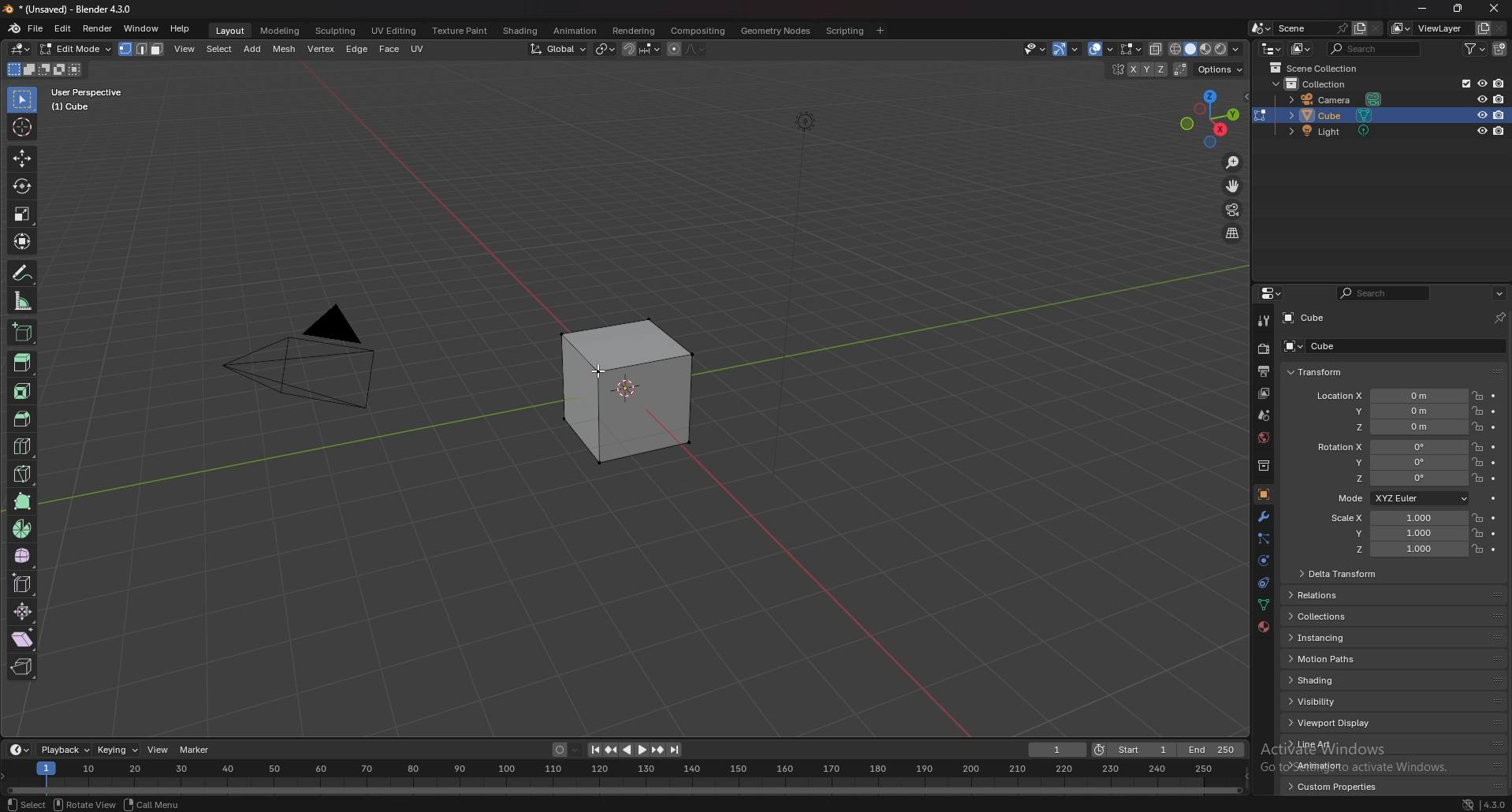  I want to click on scale z, so click(1400, 549).